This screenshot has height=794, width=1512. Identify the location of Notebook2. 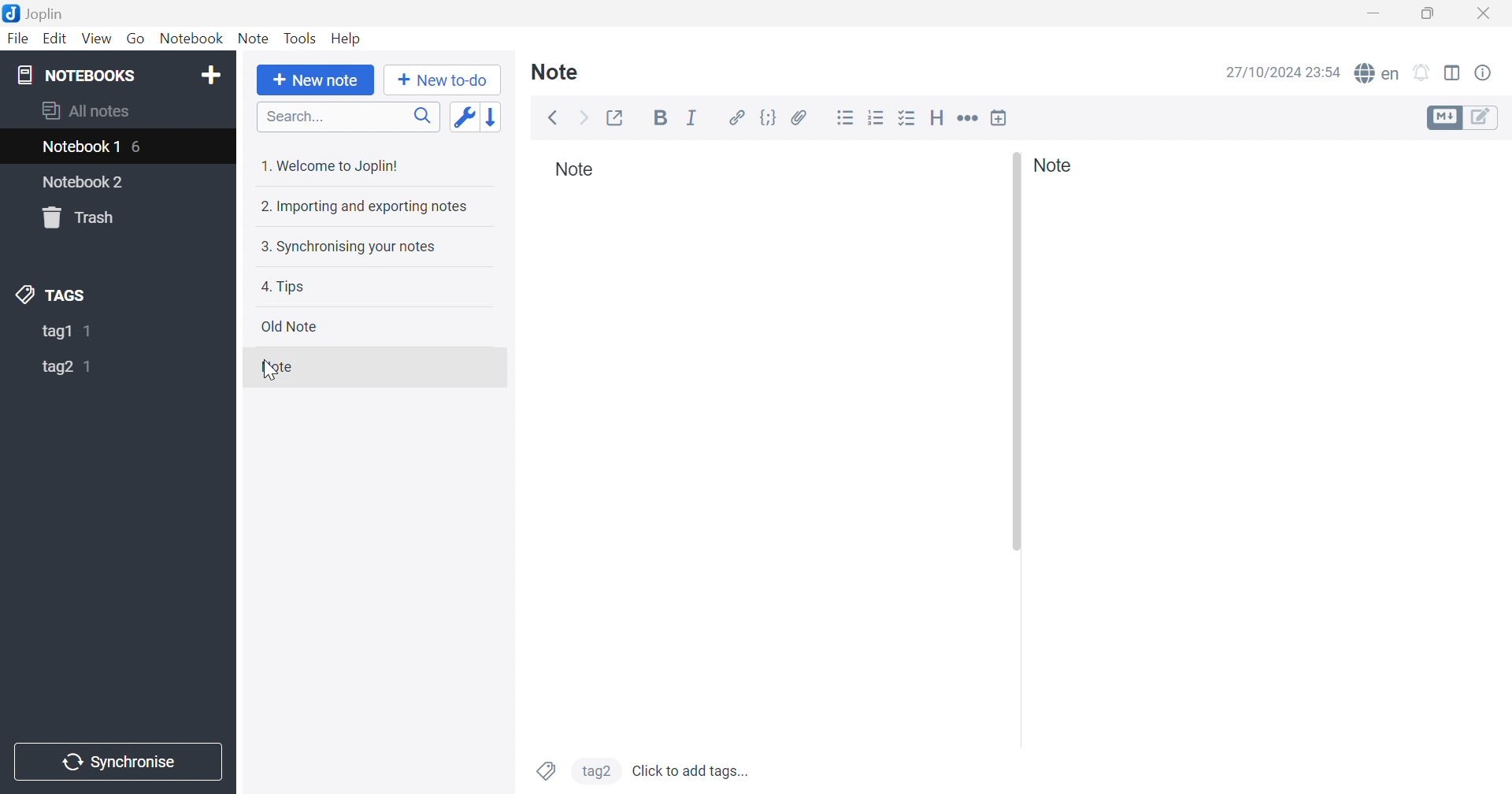
(83, 181).